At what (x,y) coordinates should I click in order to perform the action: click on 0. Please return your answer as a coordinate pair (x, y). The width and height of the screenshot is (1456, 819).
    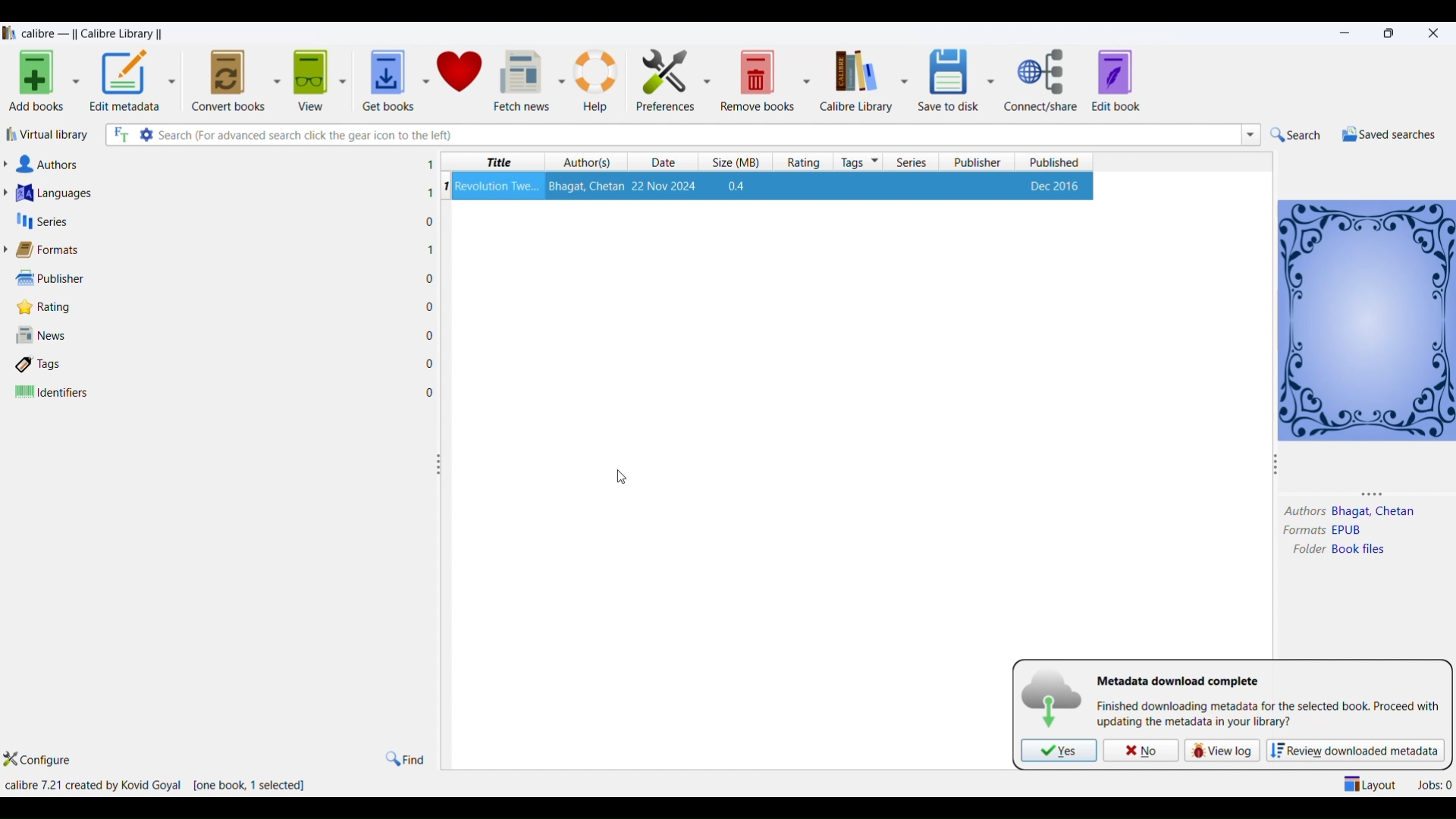
    Looking at the image, I should click on (431, 279).